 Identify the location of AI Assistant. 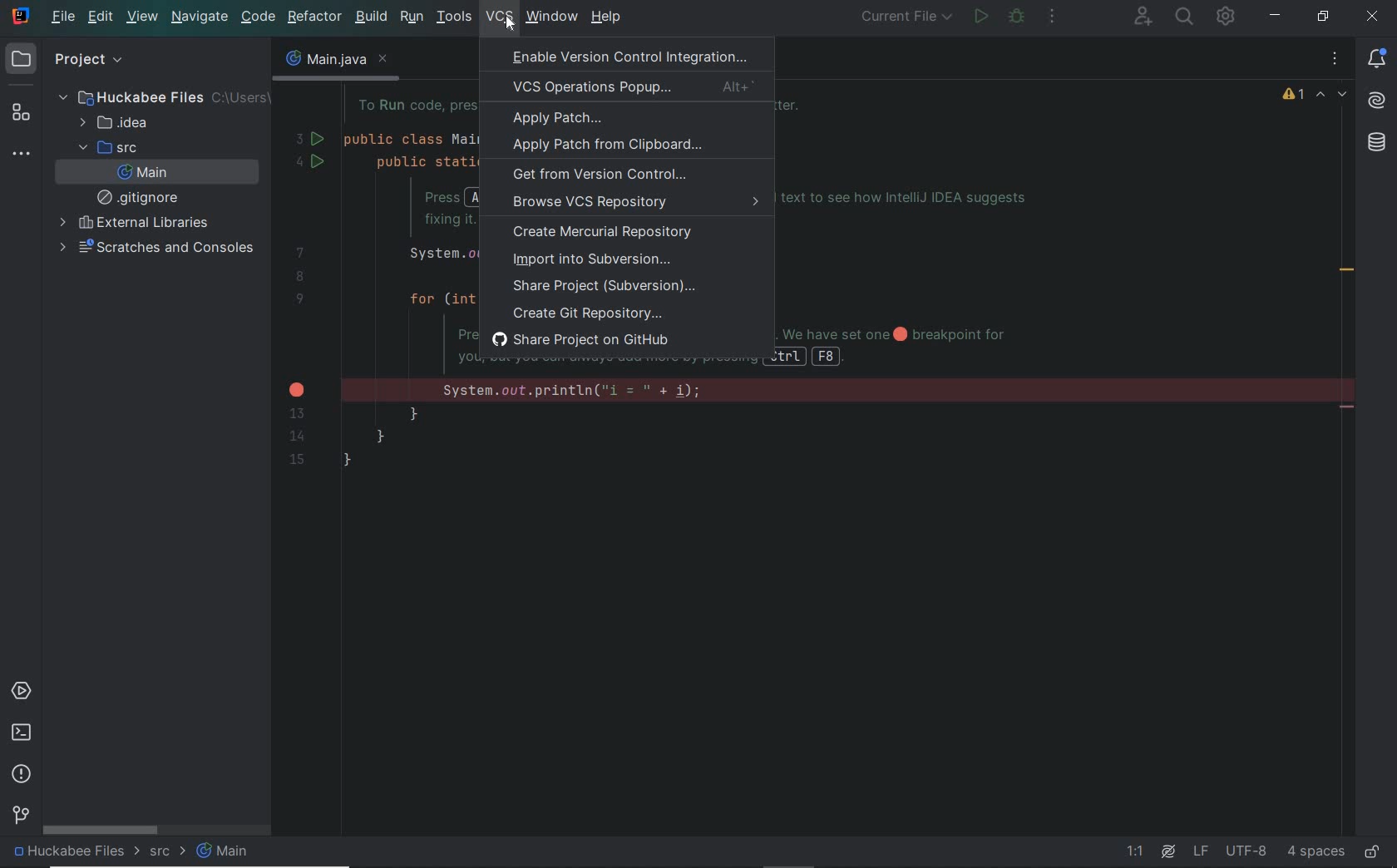
(1377, 101).